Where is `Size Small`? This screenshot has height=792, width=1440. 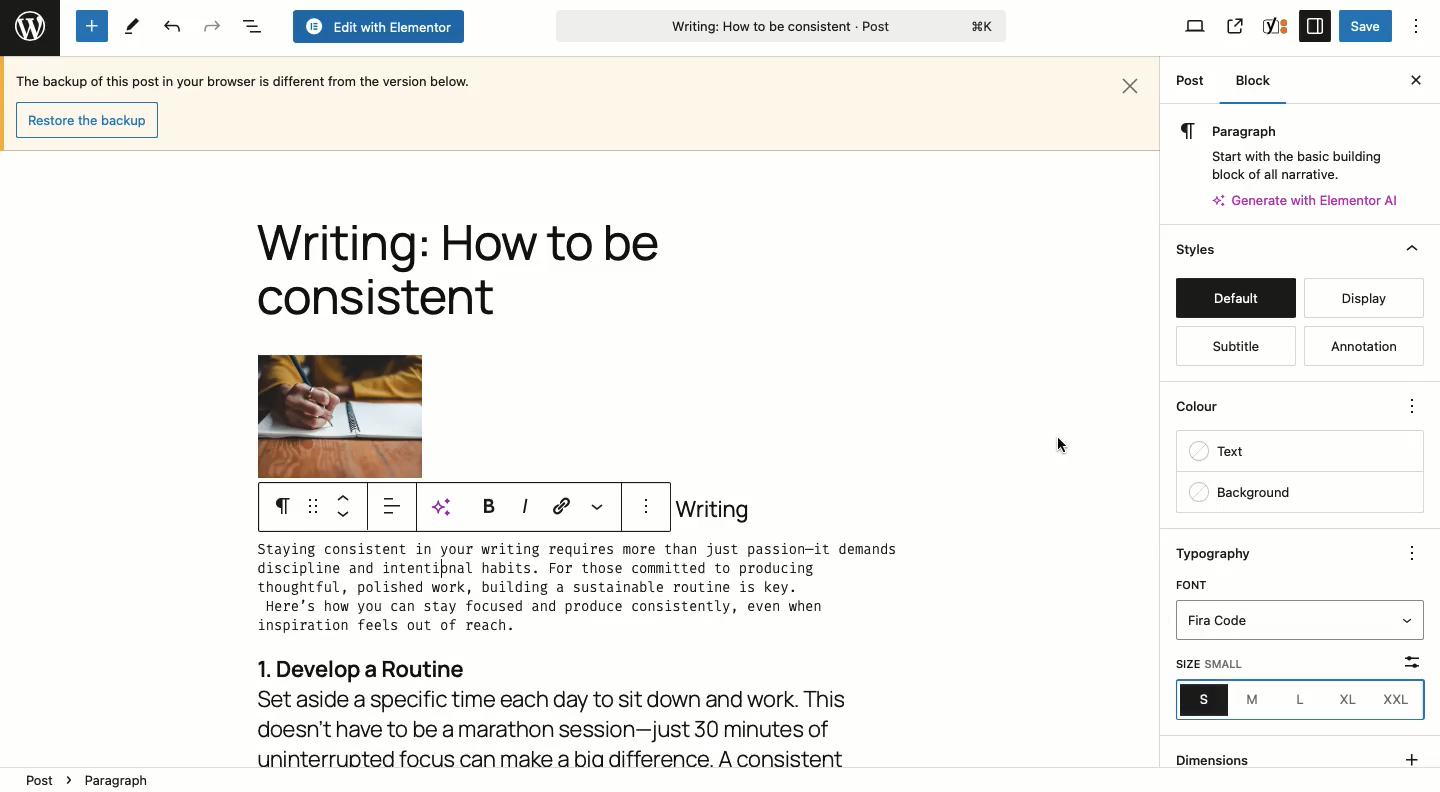
Size Small is located at coordinates (1214, 664).